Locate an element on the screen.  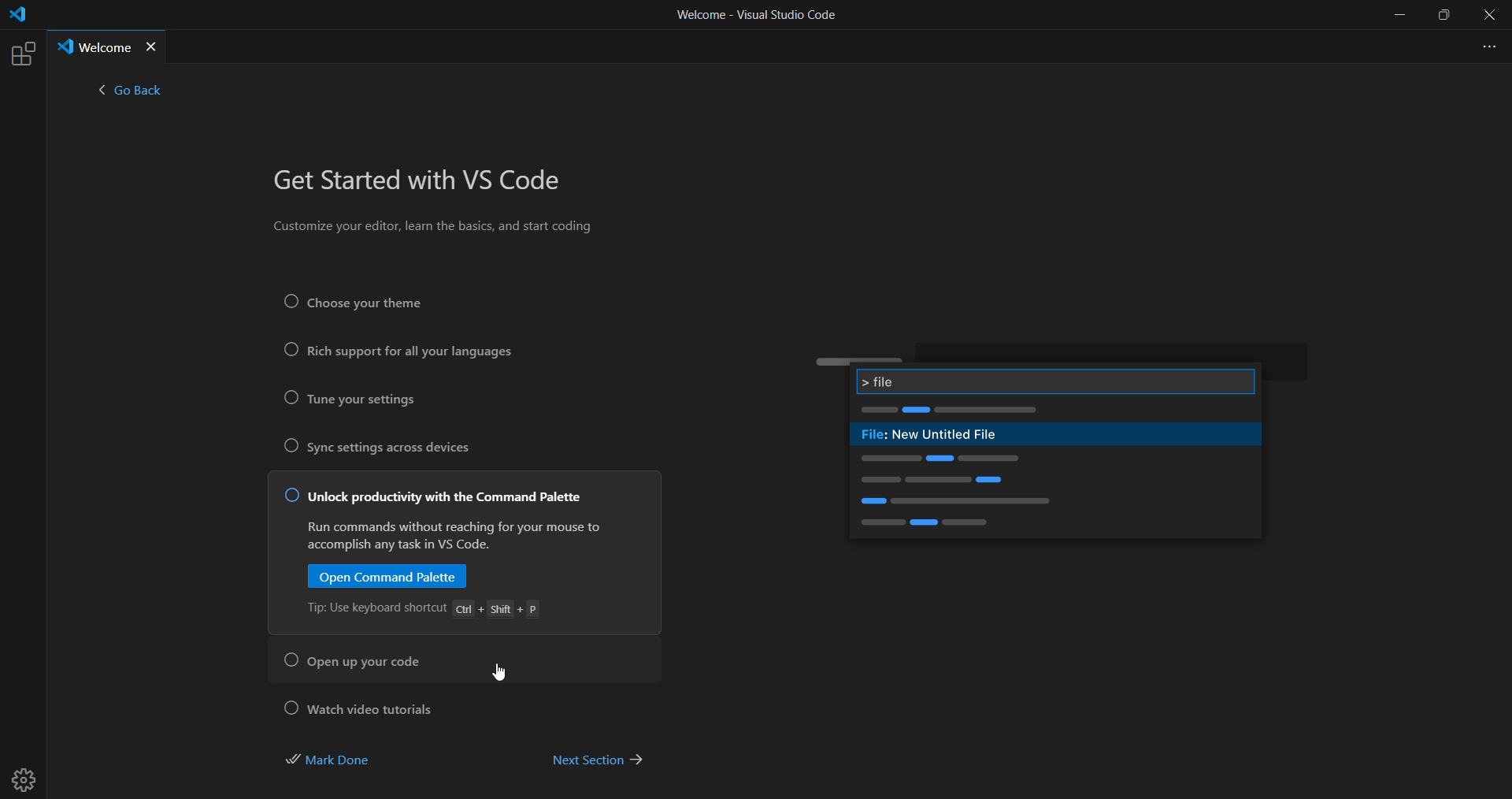
Welcome - Visual Studio Code is located at coordinates (755, 19).